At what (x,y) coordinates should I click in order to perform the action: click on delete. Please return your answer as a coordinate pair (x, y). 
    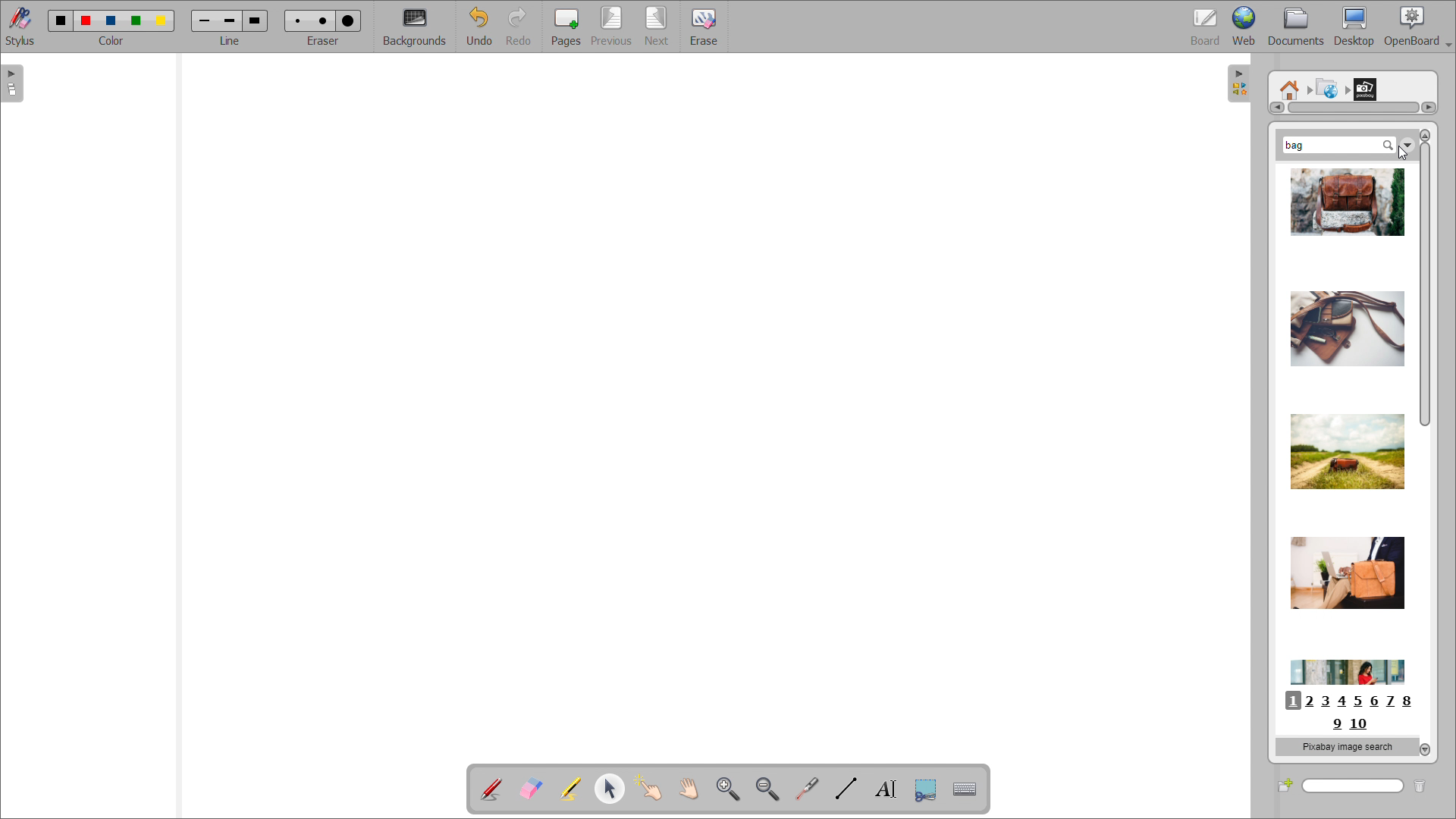
    Looking at the image, I should click on (1426, 784).